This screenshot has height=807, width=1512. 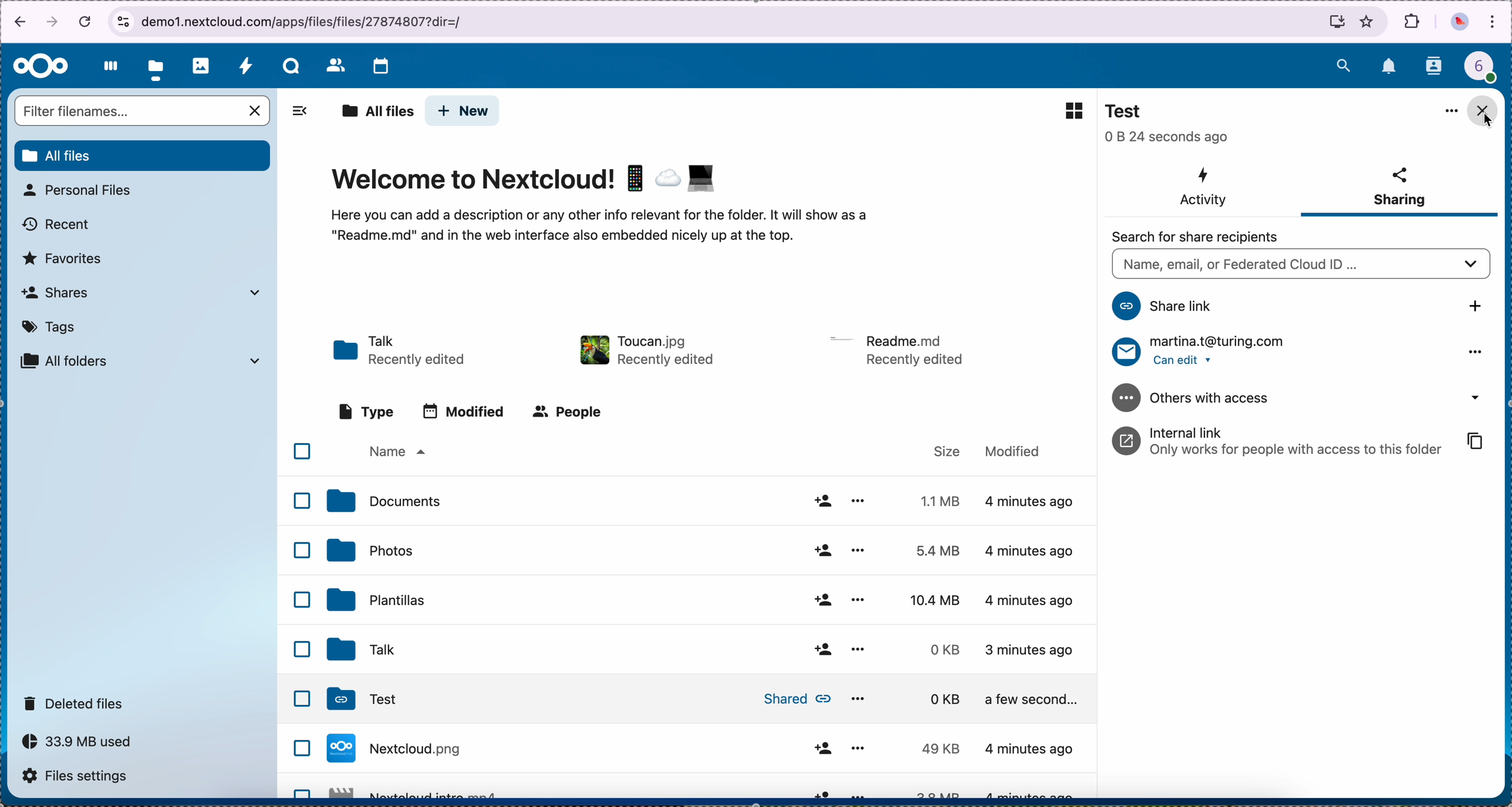 What do you see at coordinates (81, 190) in the screenshot?
I see `personal files` at bounding box center [81, 190].